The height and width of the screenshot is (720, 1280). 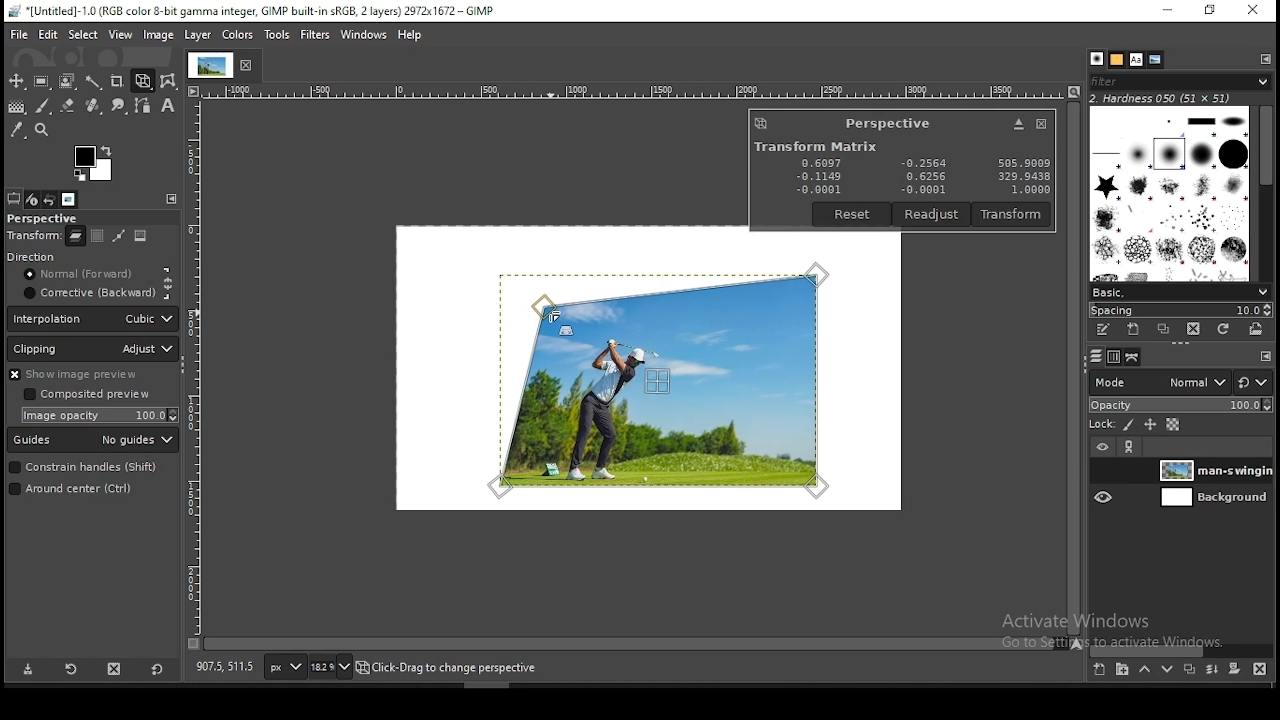 What do you see at coordinates (814, 146) in the screenshot?
I see `Transform Matrix` at bounding box center [814, 146].